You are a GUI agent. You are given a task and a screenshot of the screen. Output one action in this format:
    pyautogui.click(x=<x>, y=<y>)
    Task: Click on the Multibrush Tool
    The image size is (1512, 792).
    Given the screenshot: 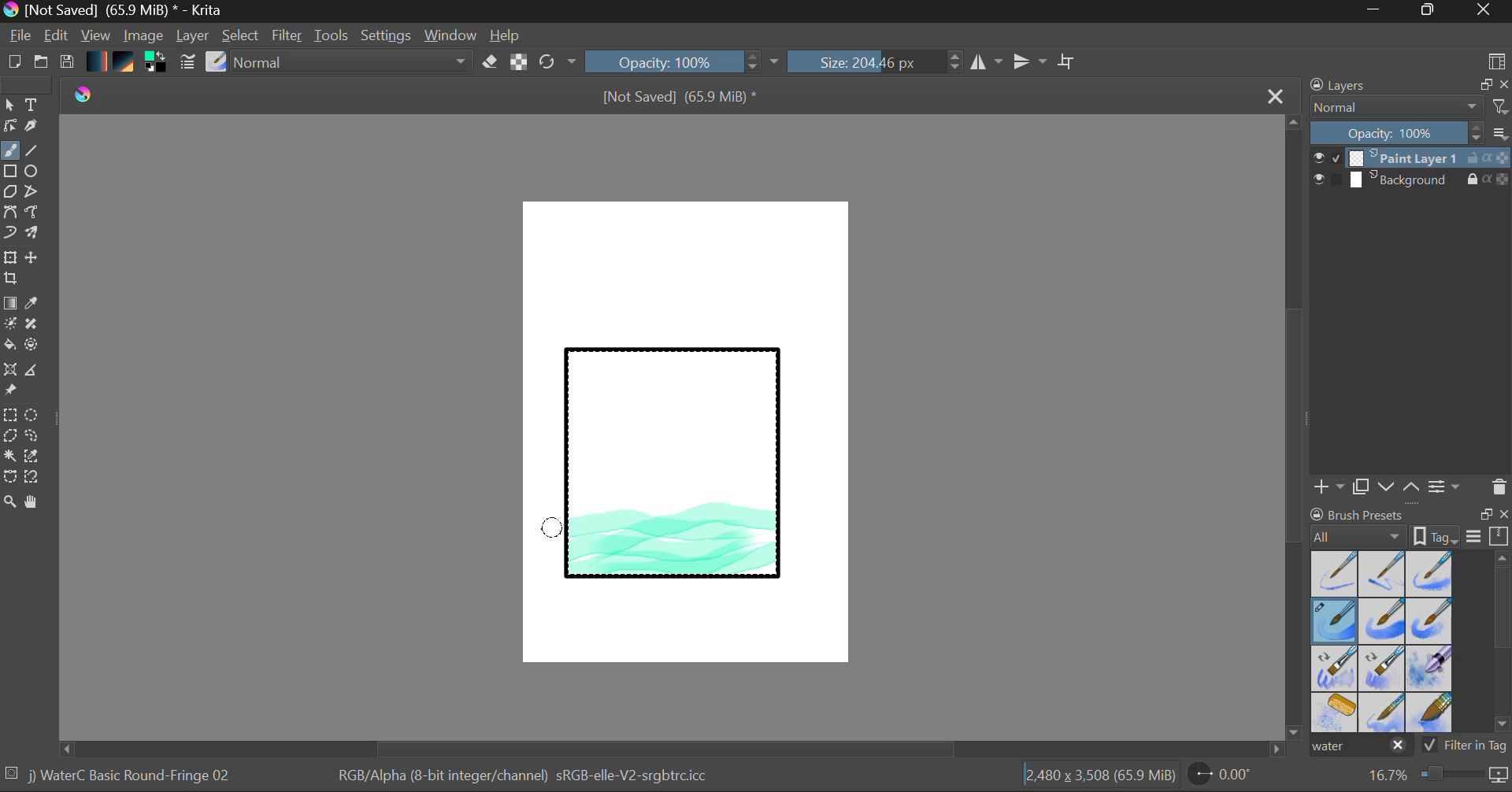 What is the action you would take?
    pyautogui.click(x=33, y=235)
    